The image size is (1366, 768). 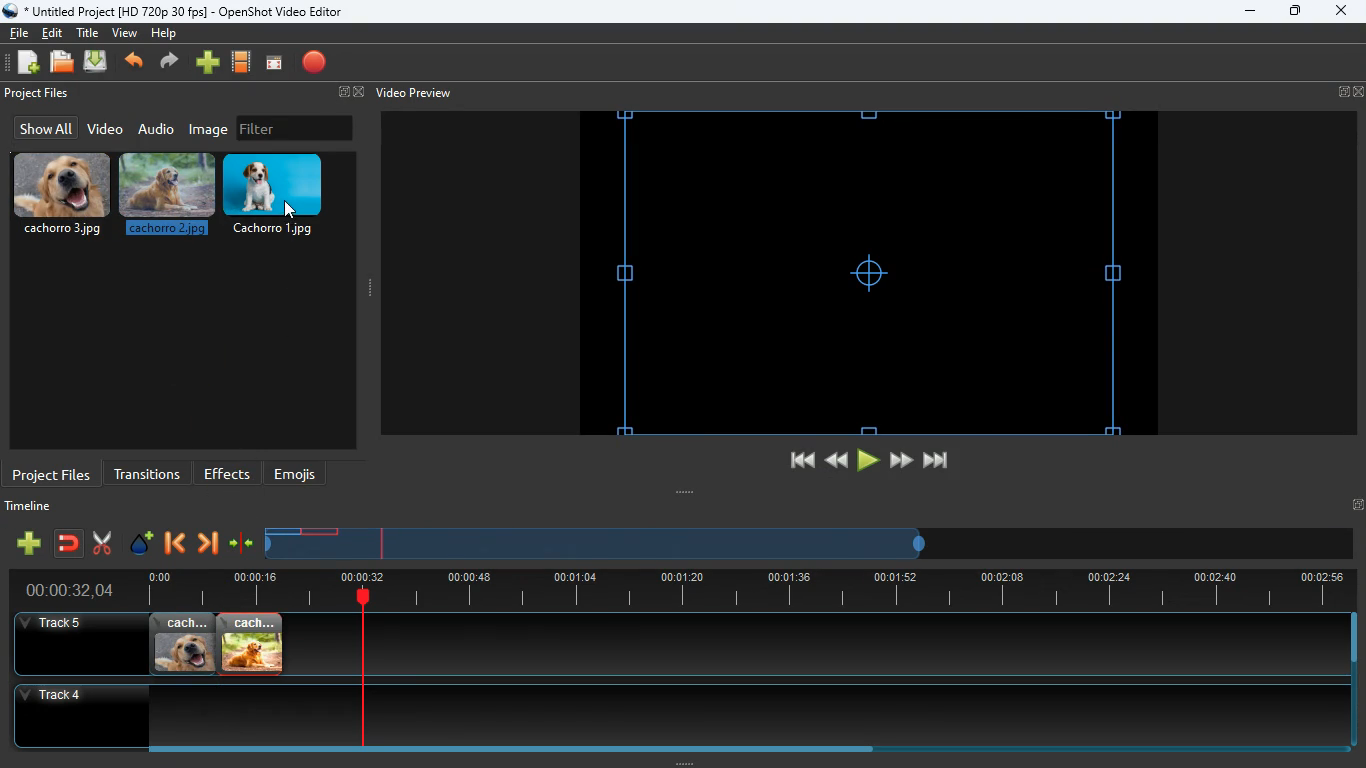 I want to click on view, so click(x=126, y=33).